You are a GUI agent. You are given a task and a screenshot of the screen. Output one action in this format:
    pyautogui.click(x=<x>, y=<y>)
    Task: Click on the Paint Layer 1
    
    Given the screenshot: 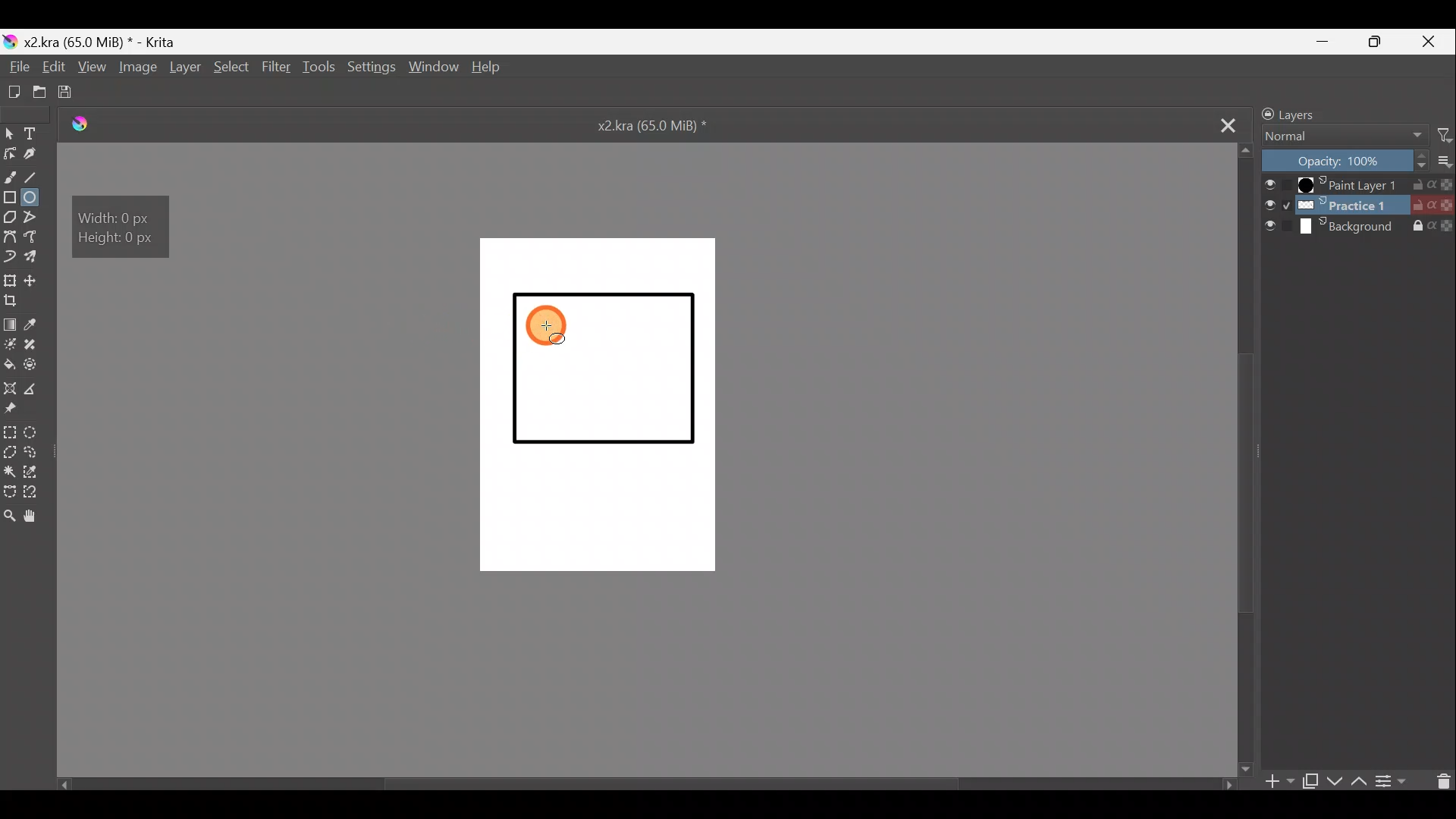 What is the action you would take?
    pyautogui.click(x=1358, y=184)
    